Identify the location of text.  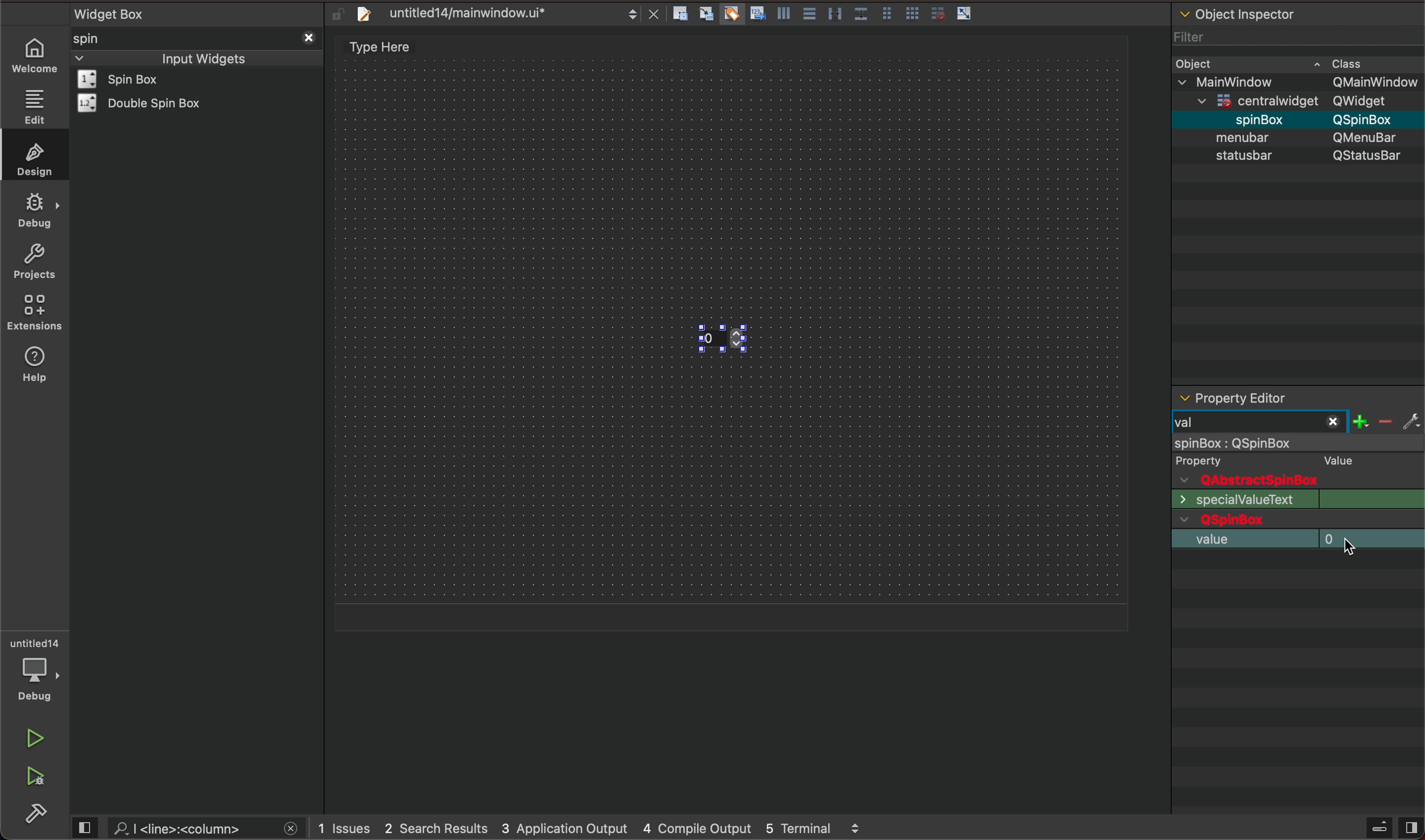
(1223, 480).